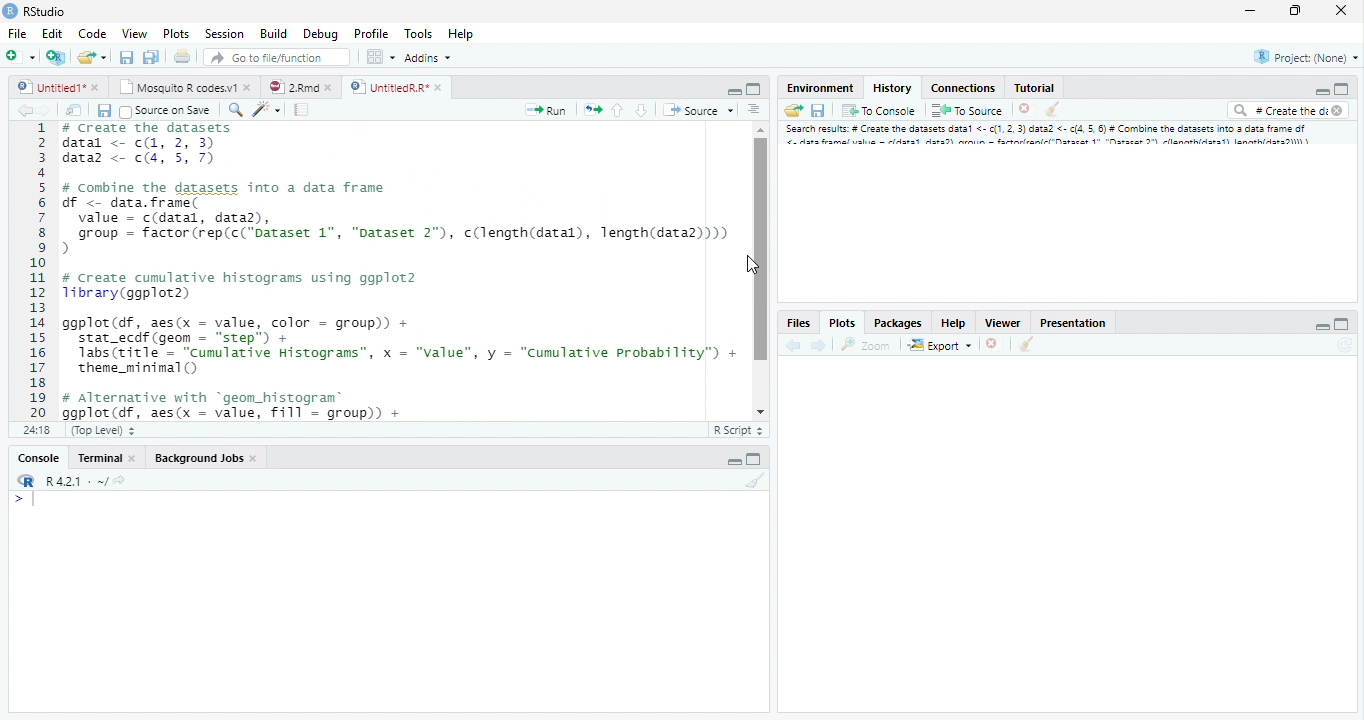 The image size is (1364, 720). What do you see at coordinates (1052, 137) in the screenshot?
I see `Search result # create dataset data..` at bounding box center [1052, 137].